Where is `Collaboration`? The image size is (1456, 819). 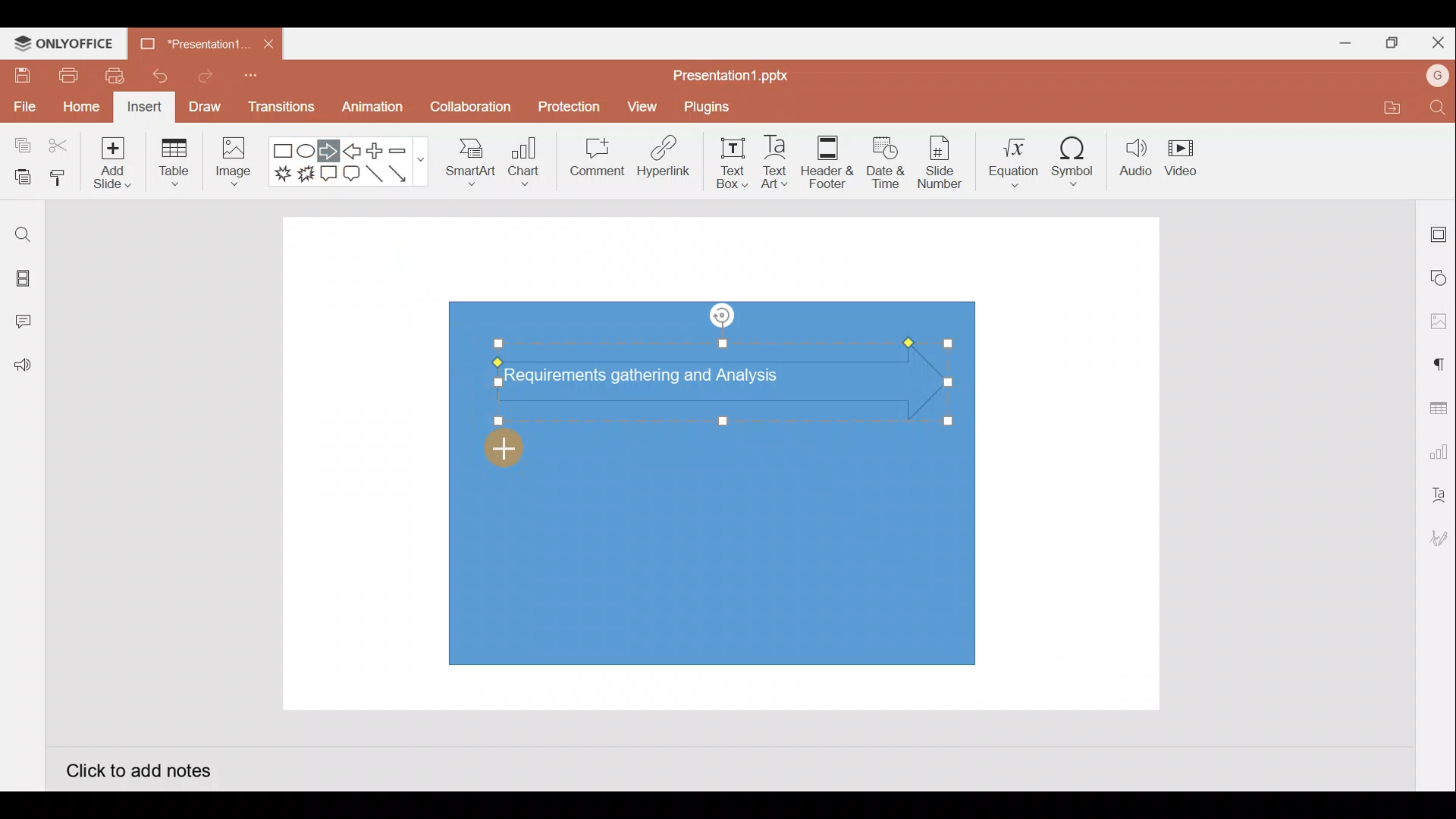 Collaboration is located at coordinates (469, 113).